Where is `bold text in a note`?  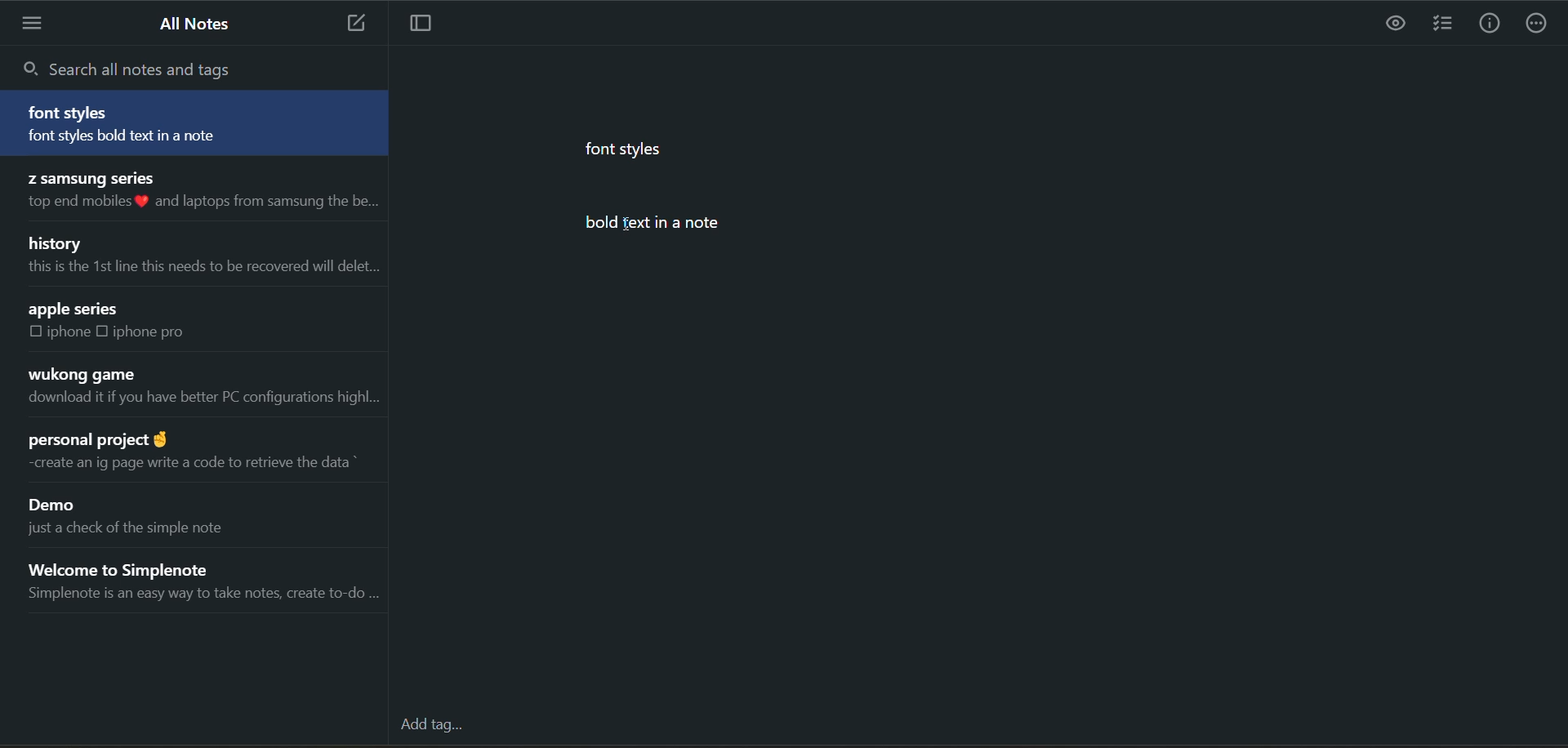 bold text in a note is located at coordinates (670, 225).